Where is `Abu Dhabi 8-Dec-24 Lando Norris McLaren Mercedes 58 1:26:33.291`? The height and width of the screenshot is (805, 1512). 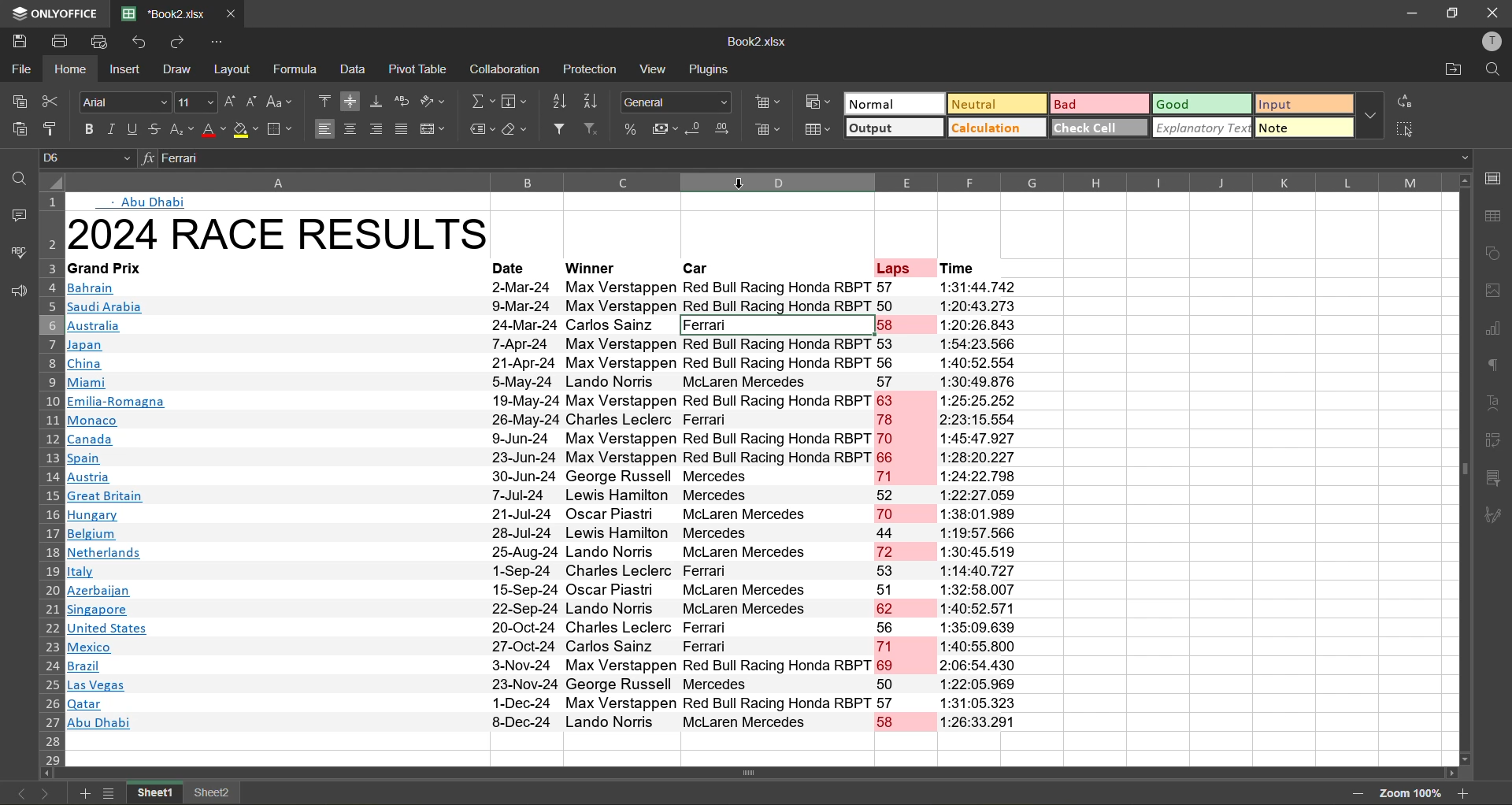 Abu Dhabi 8-Dec-24 Lando Norris McLaren Mercedes 58 1:26:33.291 is located at coordinates (548, 723).